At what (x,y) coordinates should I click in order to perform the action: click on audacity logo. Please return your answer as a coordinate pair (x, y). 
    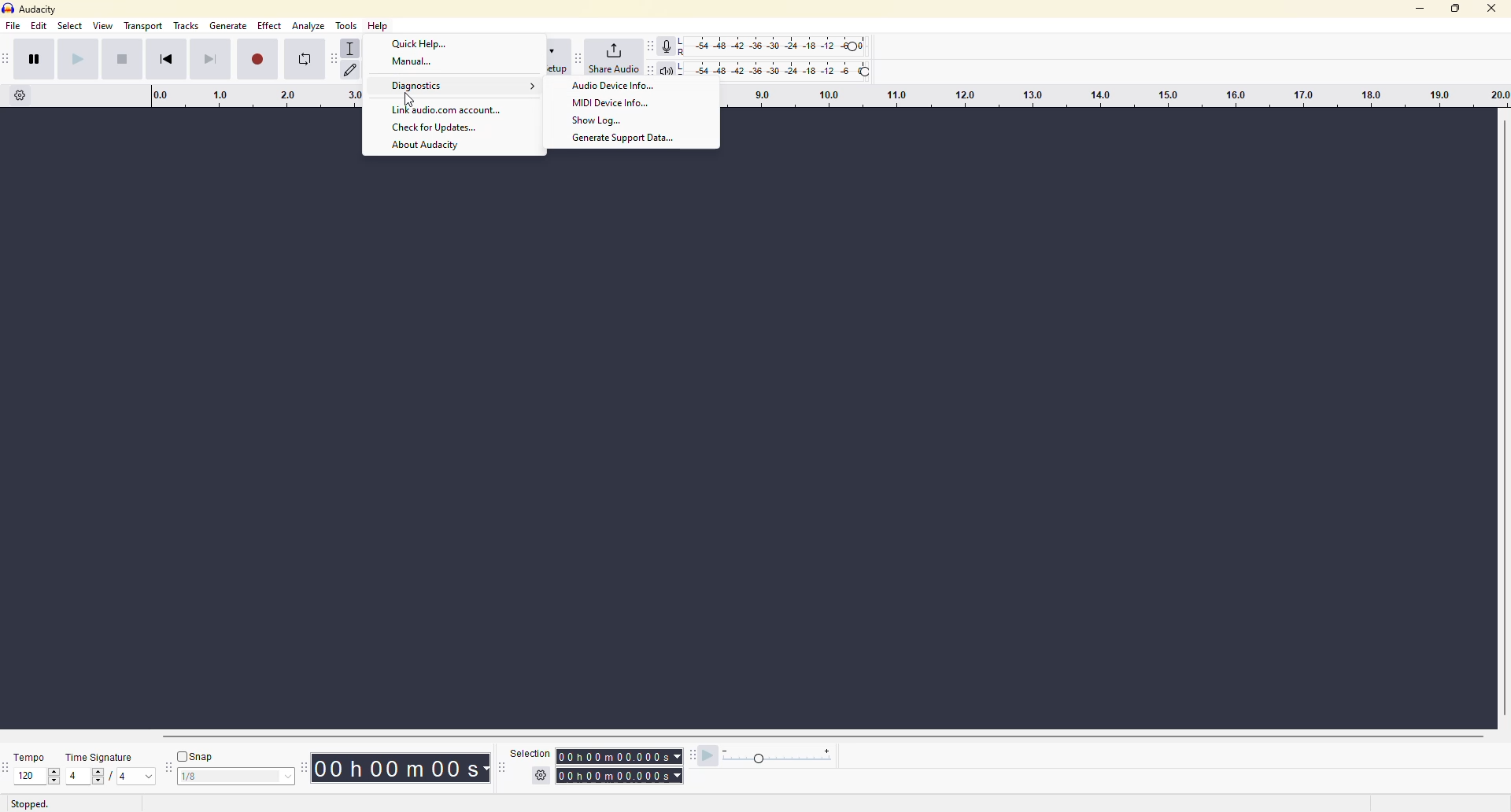
    Looking at the image, I should click on (9, 9).